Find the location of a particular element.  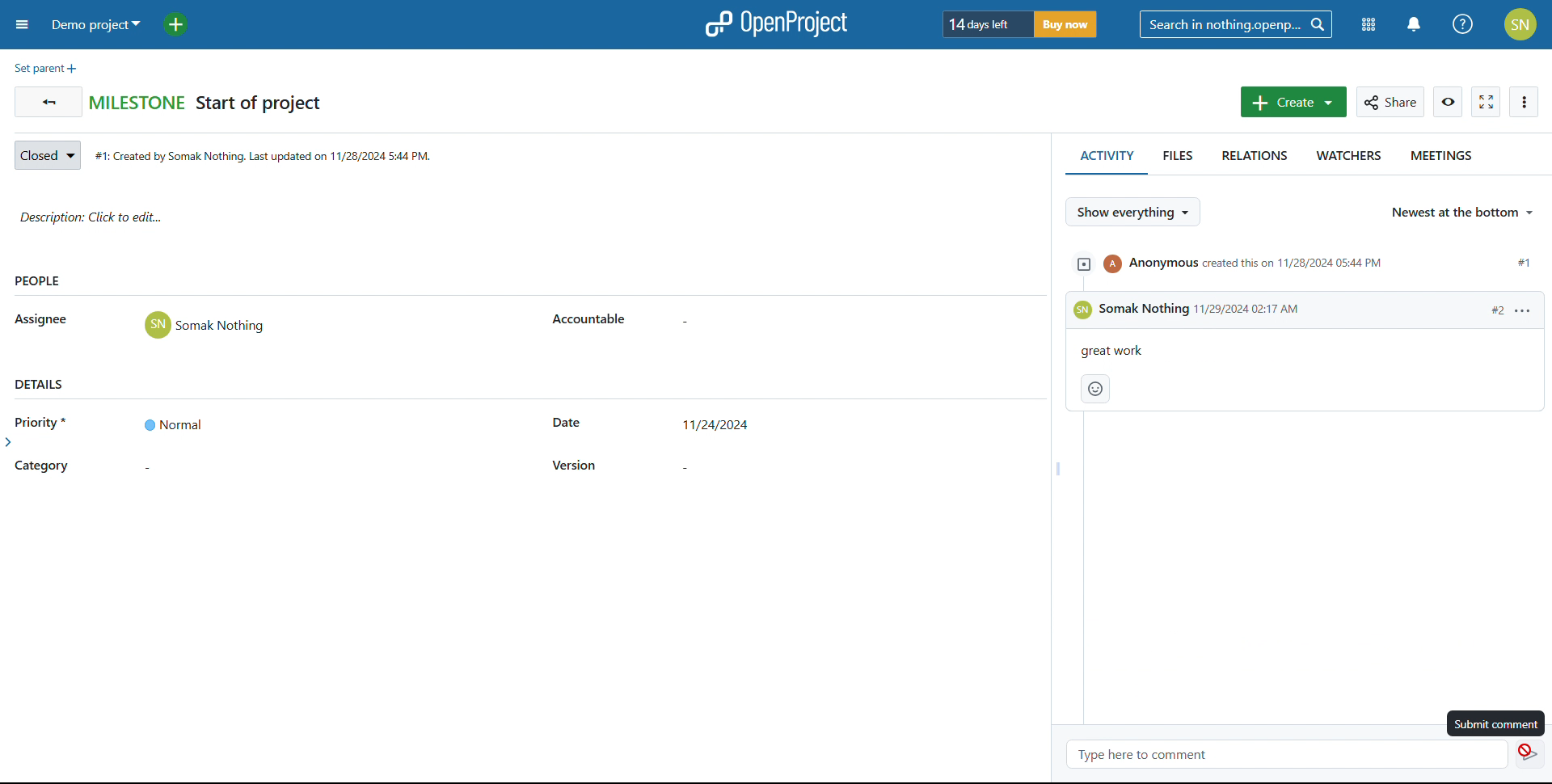

creation date is located at coordinates (268, 157).